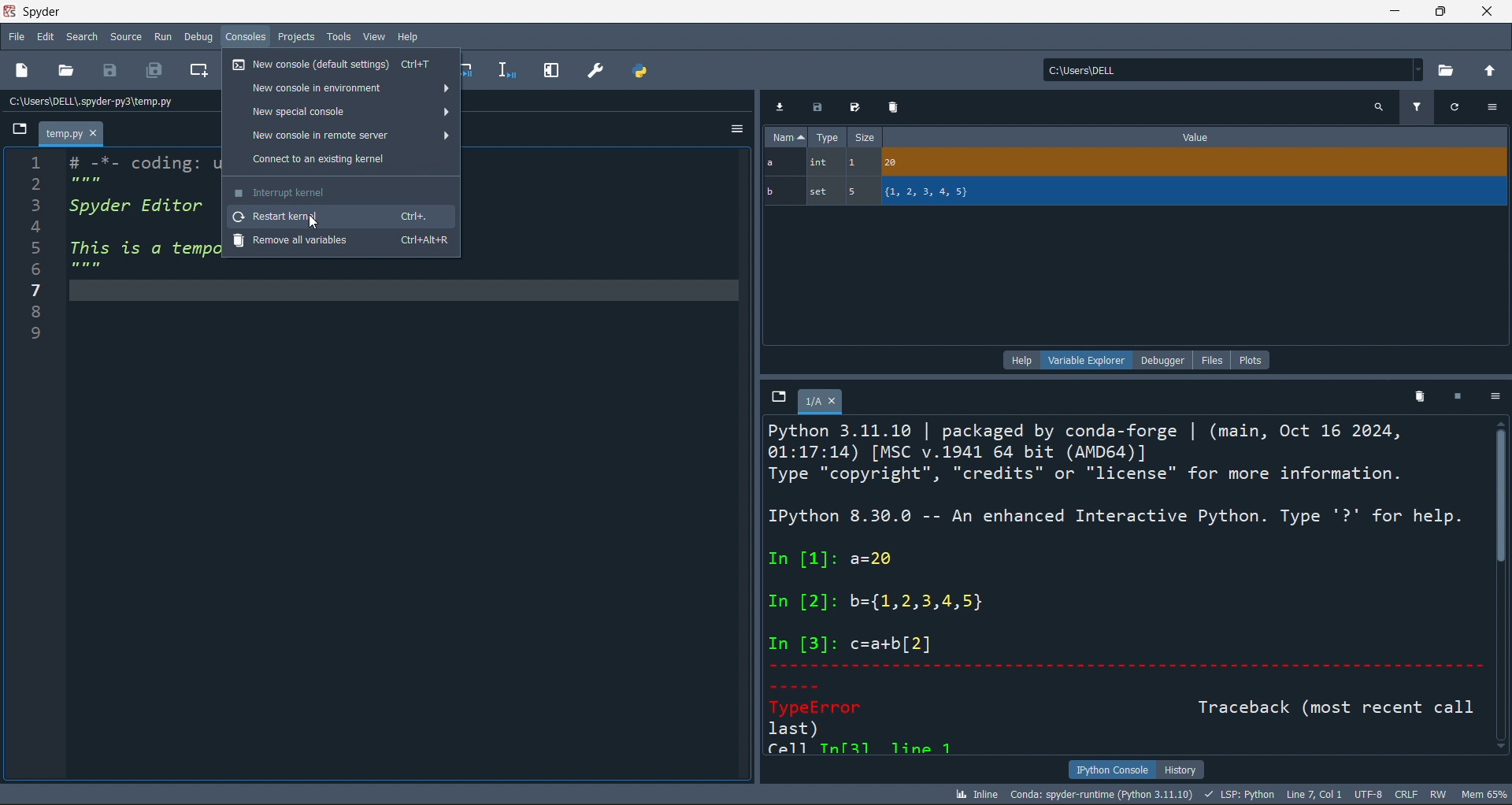 This screenshot has height=805, width=1512. What do you see at coordinates (125, 38) in the screenshot?
I see `Source` at bounding box center [125, 38].